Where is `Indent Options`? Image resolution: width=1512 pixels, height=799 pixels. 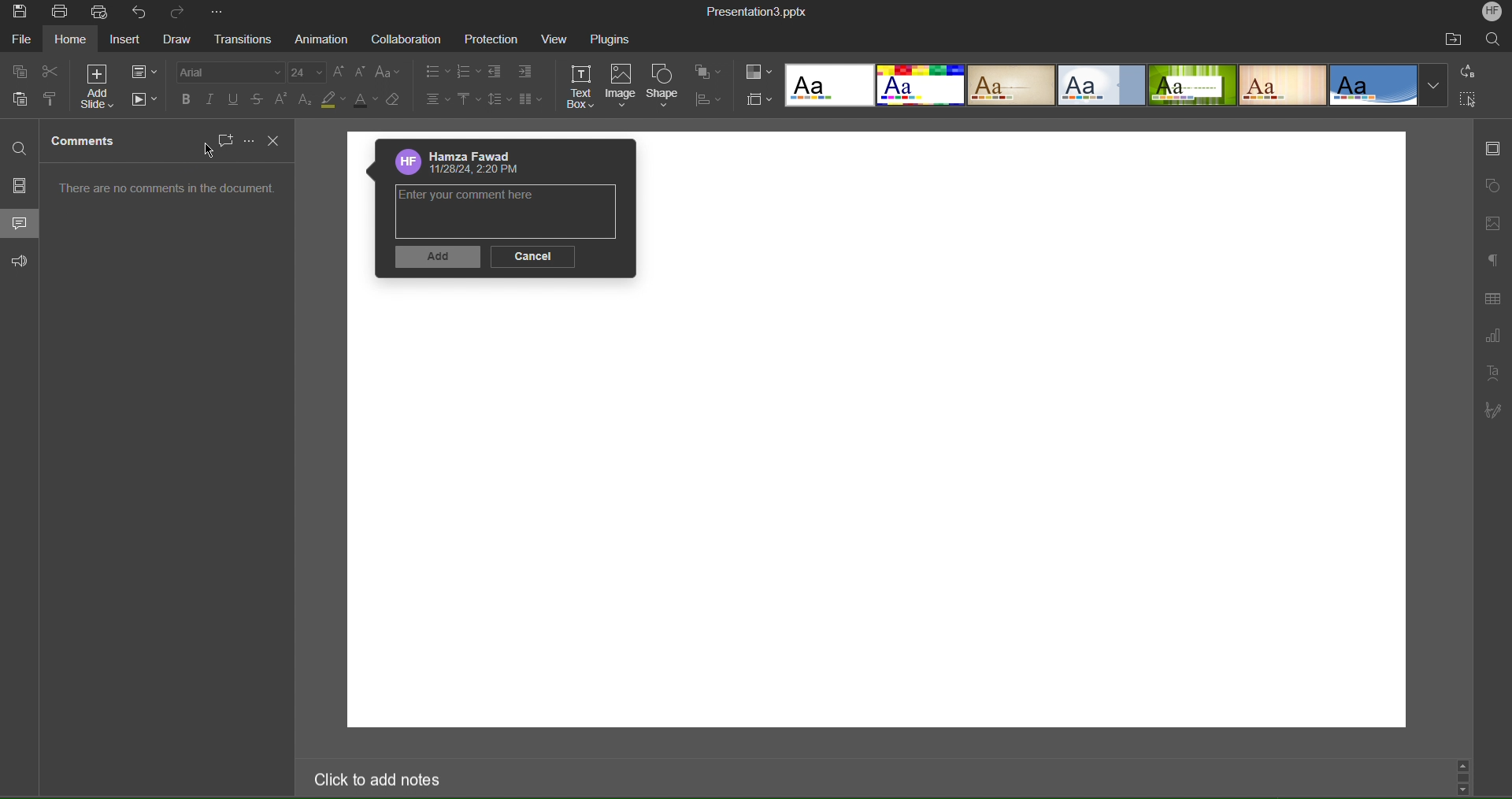 Indent Options is located at coordinates (524, 72).